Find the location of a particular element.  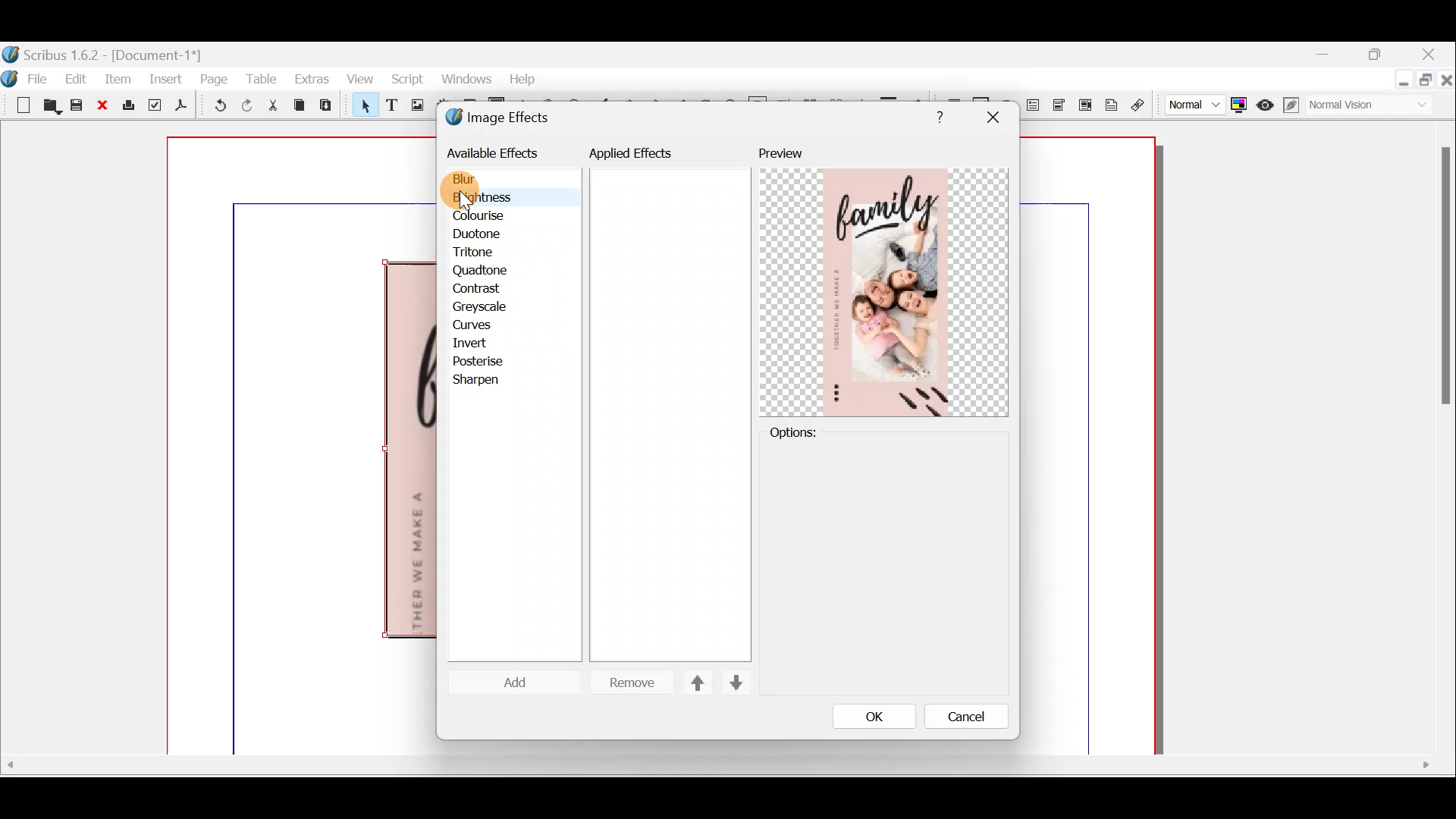

Contrast is located at coordinates (481, 289).